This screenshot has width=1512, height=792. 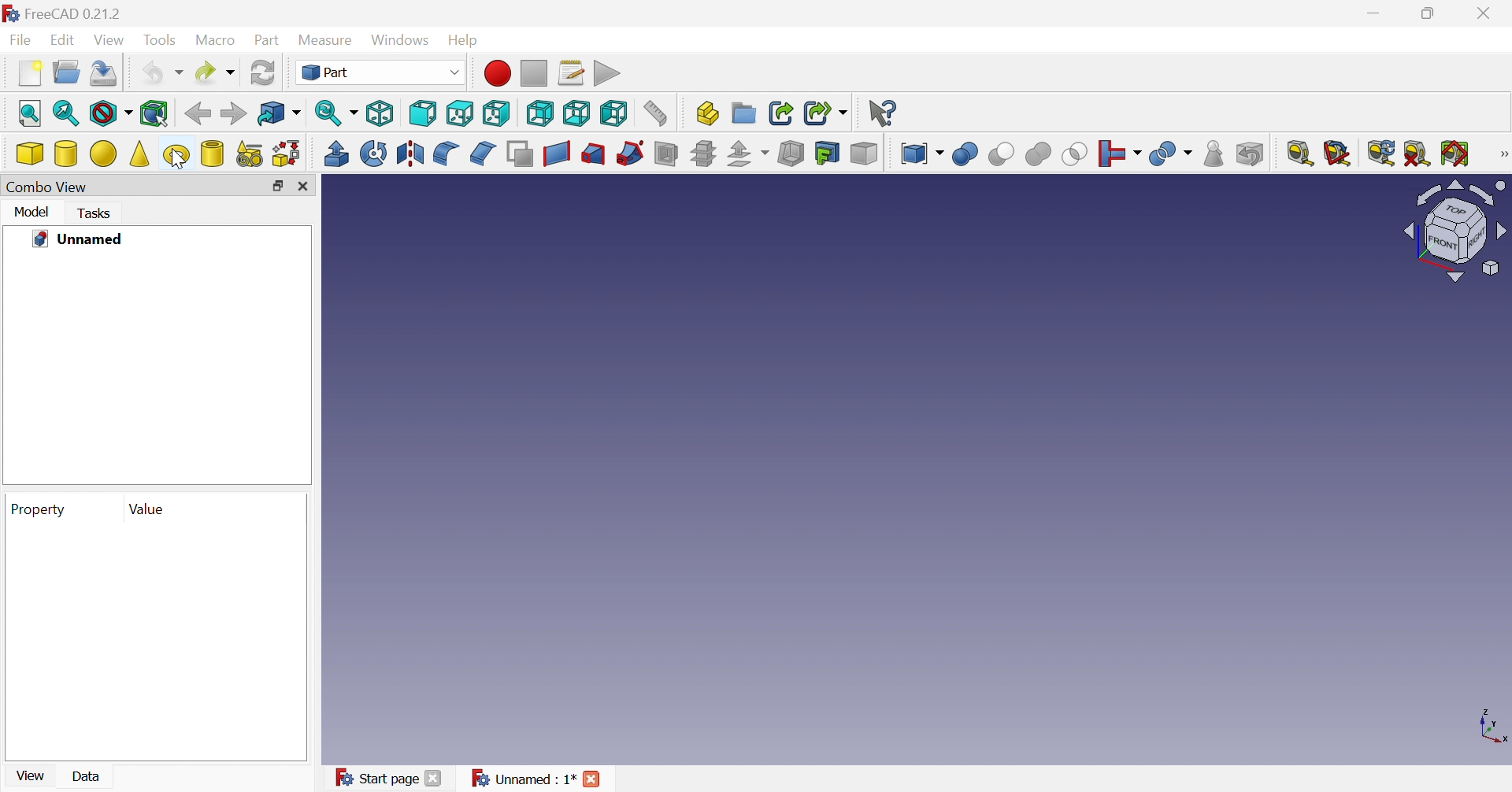 What do you see at coordinates (920, 154) in the screenshot?
I see `Compound tools` at bounding box center [920, 154].